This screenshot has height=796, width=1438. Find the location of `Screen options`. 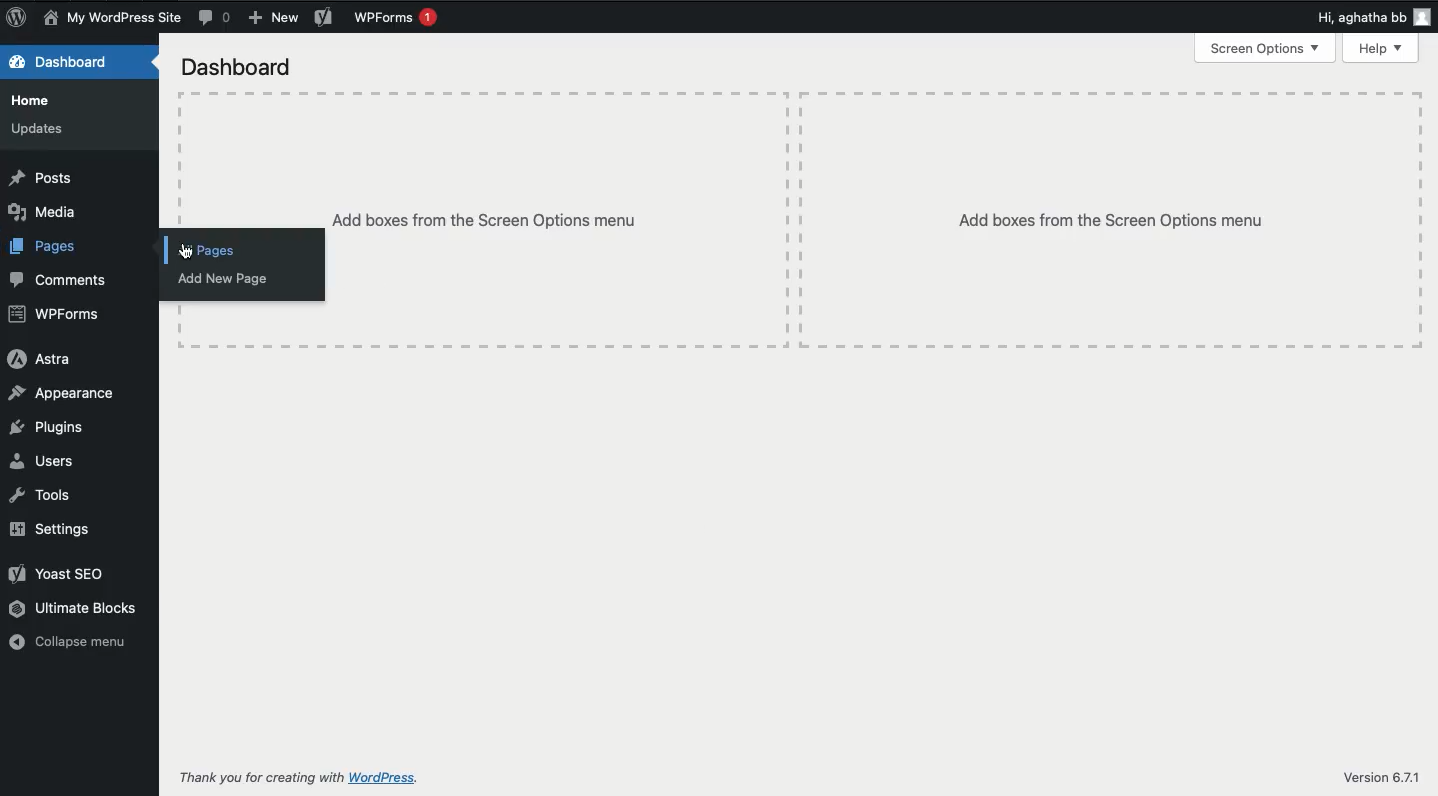

Screen options is located at coordinates (1265, 47).